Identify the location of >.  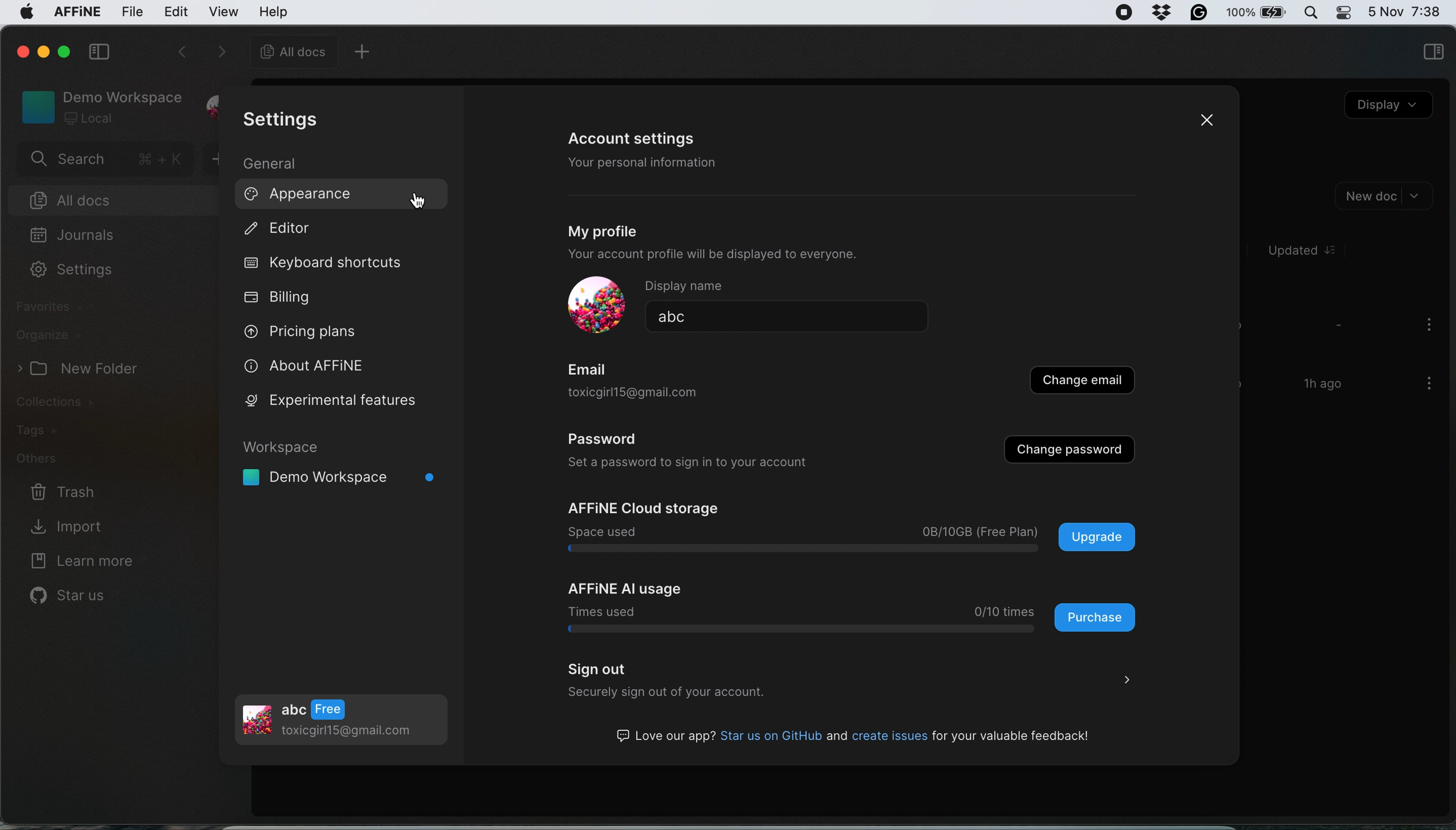
(1125, 679).